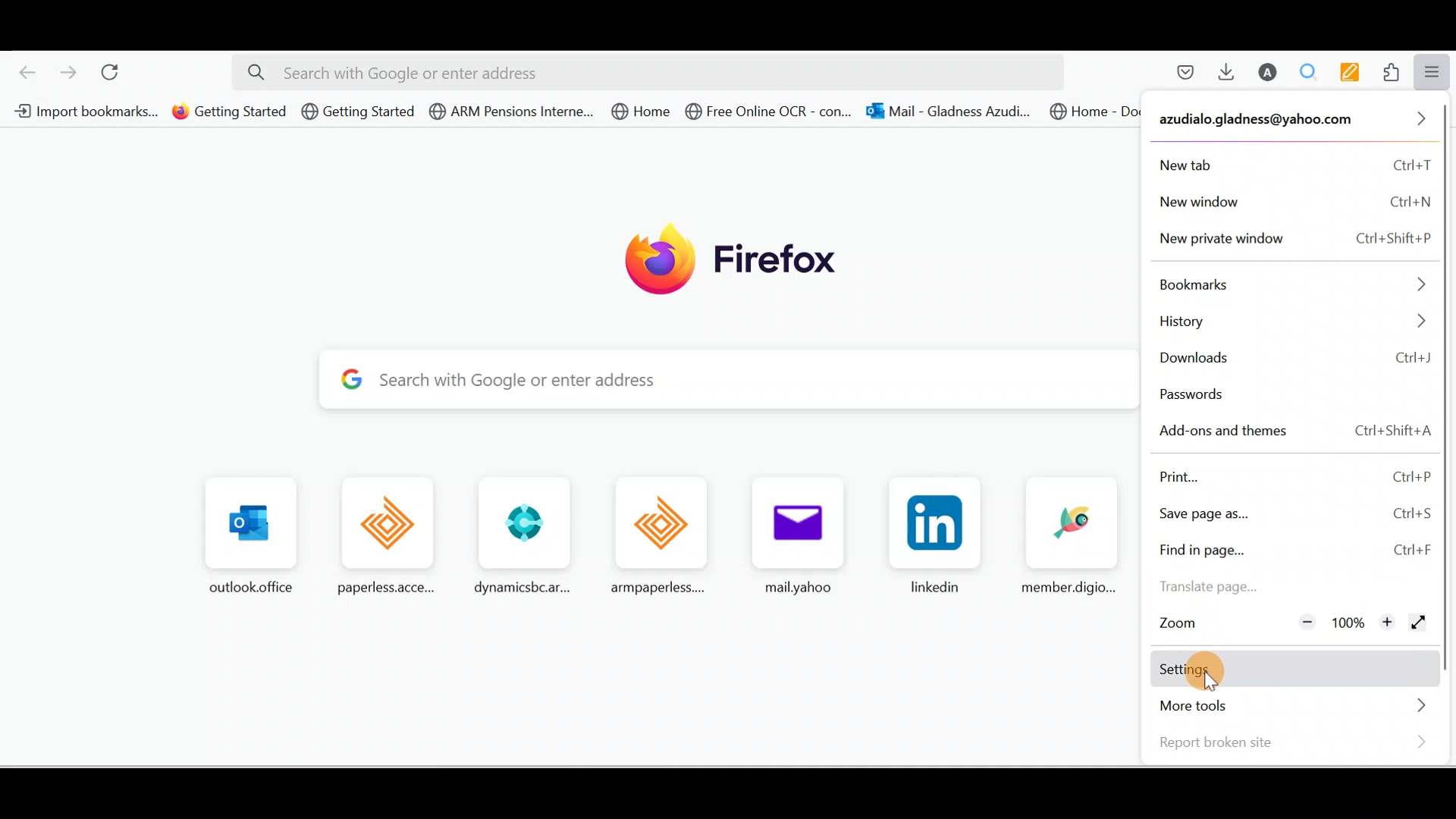  What do you see at coordinates (657, 538) in the screenshot?
I see `Frequently browsed pages.` at bounding box center [657, 538].